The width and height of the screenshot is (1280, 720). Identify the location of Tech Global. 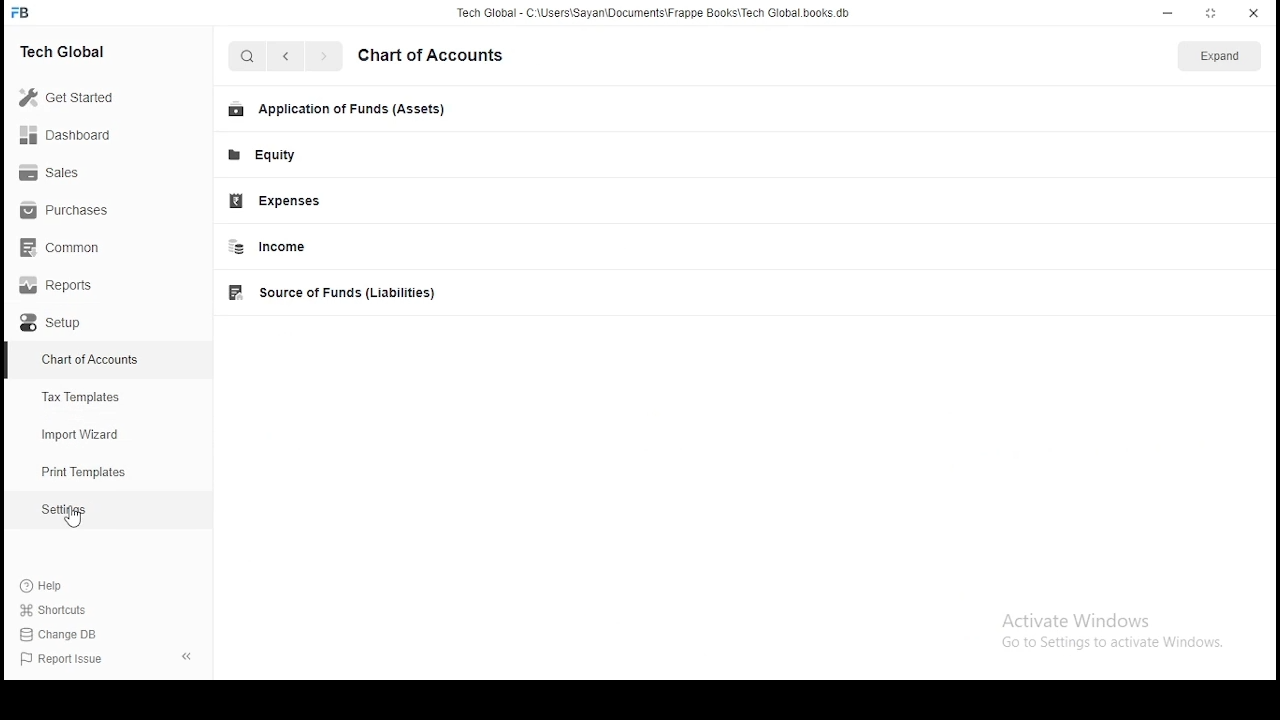
(85, 50).